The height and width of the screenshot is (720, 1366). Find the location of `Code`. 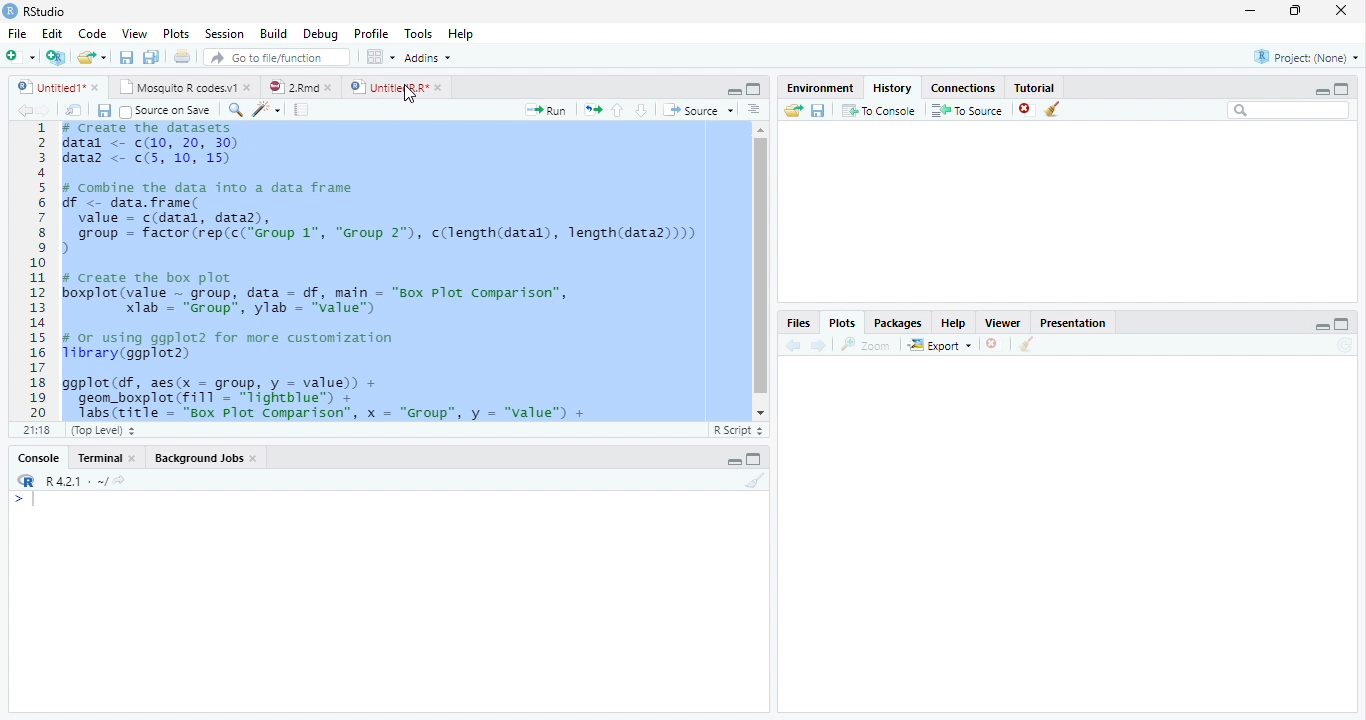

Code is located at coordinates (91, 34).